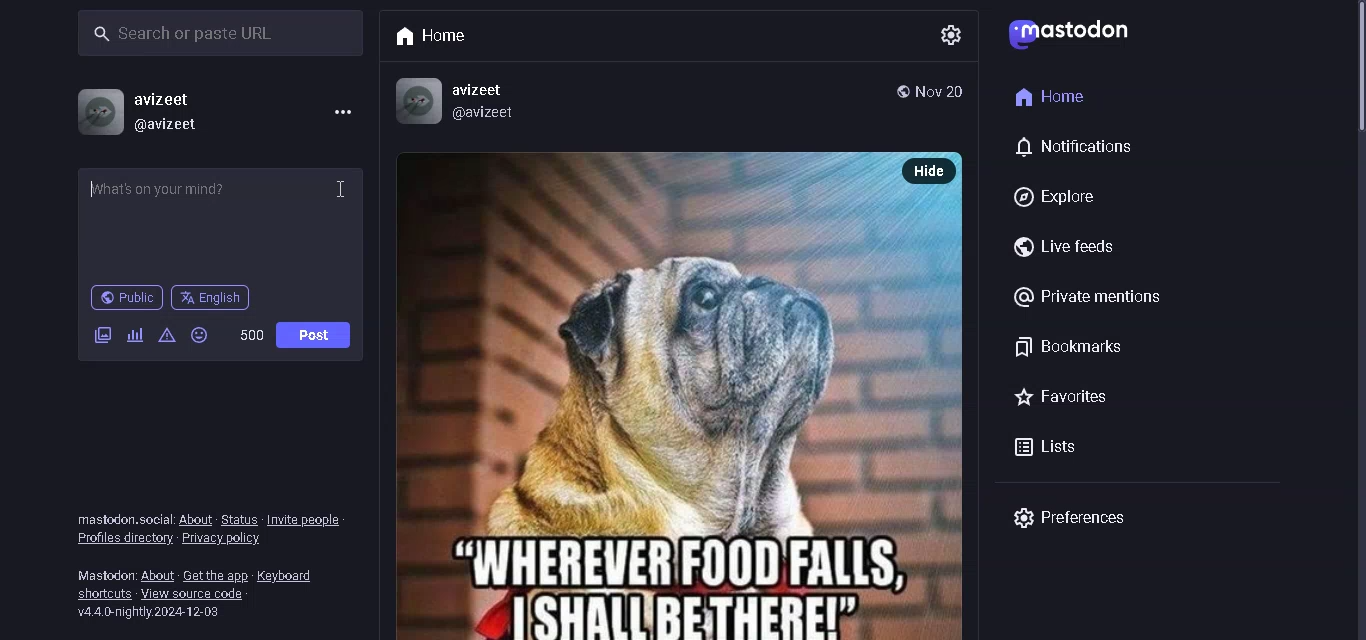  I want to click on lists, so click(1061, 449).